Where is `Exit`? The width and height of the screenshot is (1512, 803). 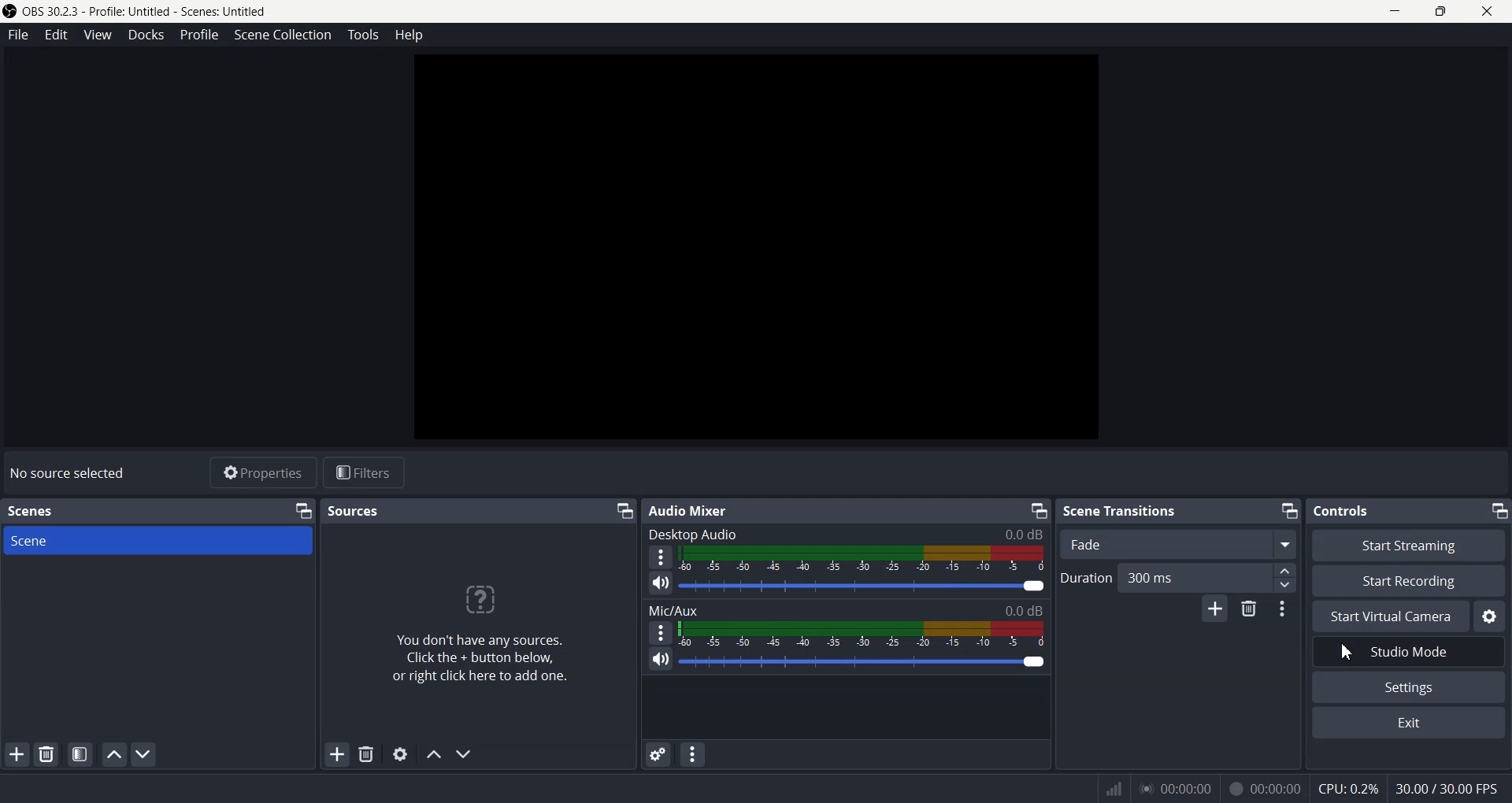
Exit is located at coordinates (1410, 723).